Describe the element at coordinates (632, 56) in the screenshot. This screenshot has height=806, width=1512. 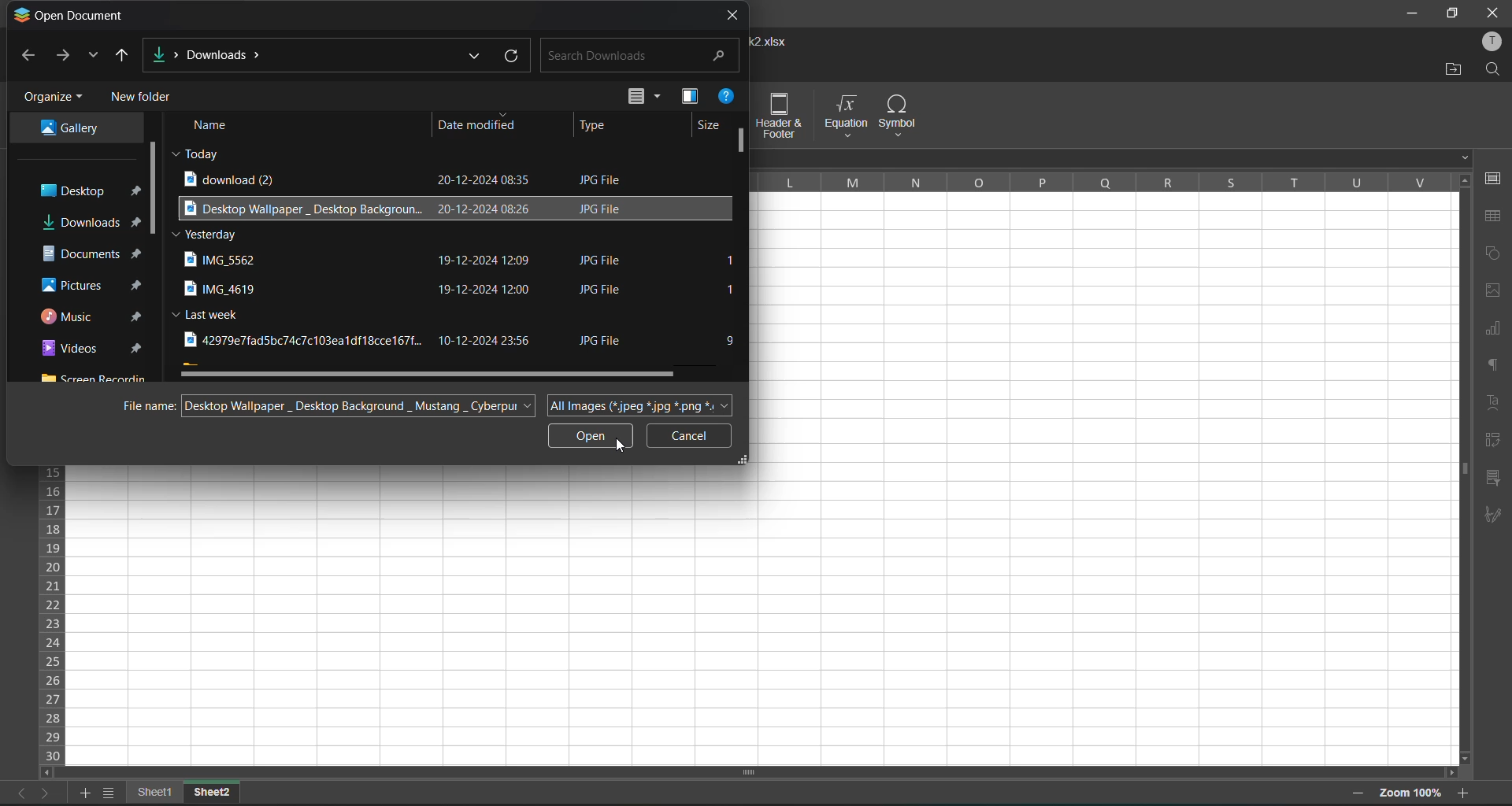
I see `search` at that location.